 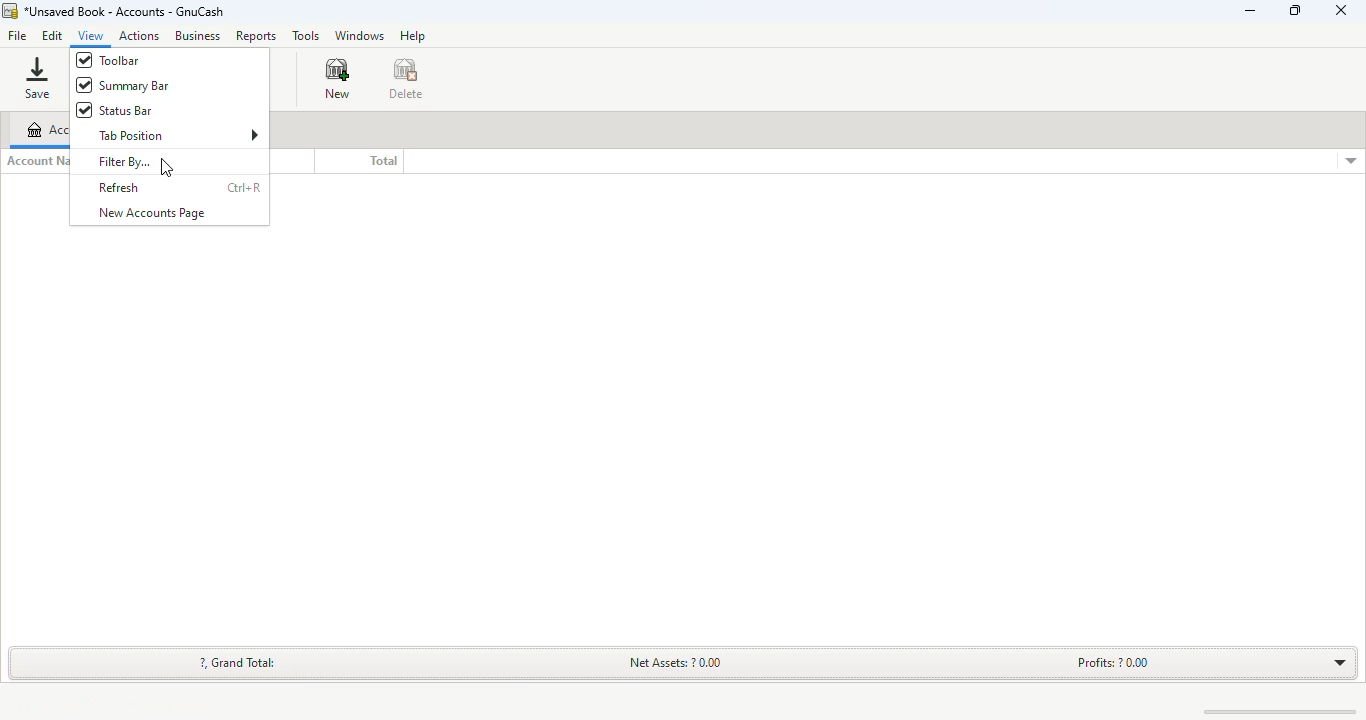 I want to click on file, so click(x=16, y=37).